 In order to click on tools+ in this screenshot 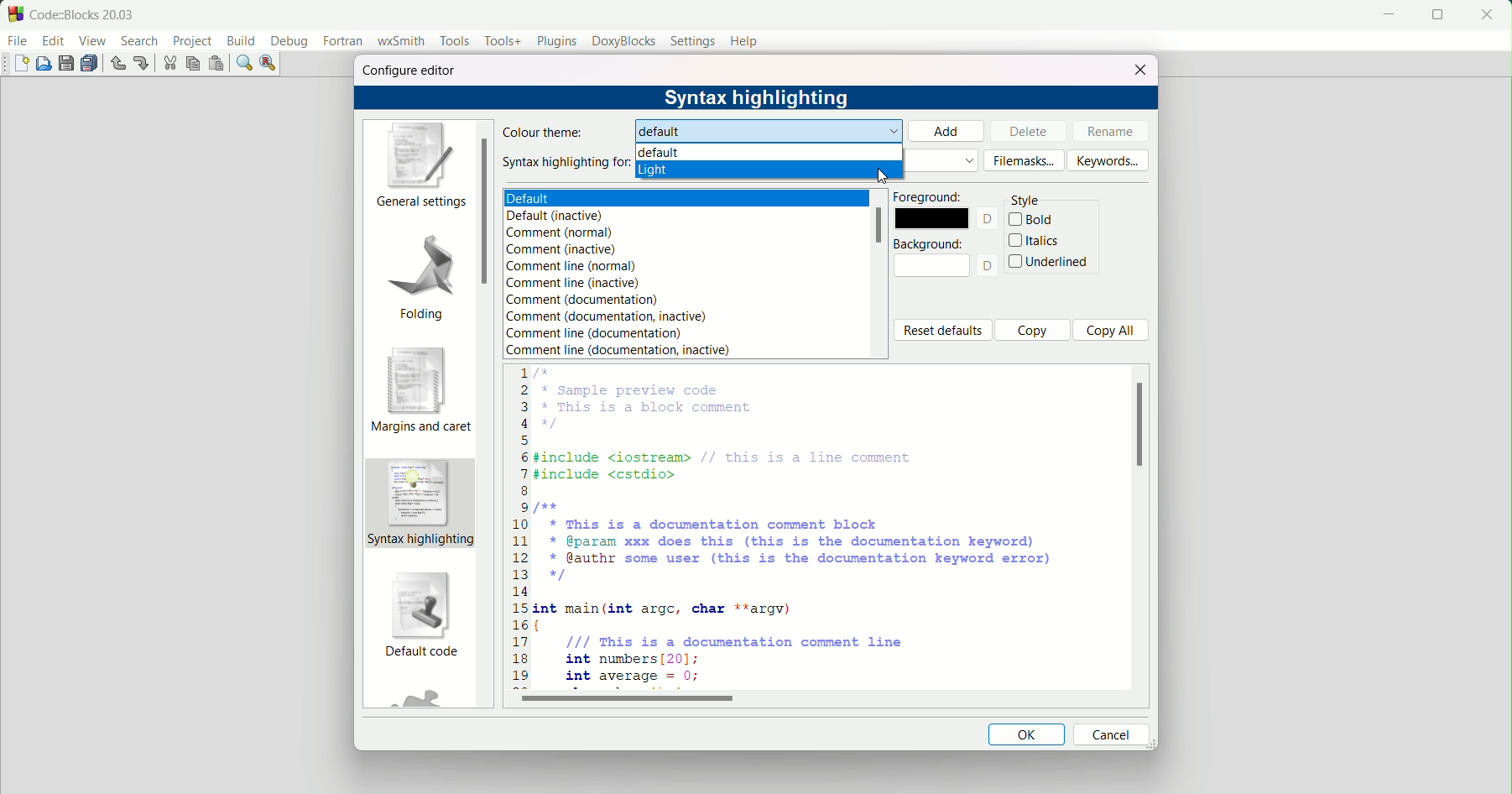, I will do `click(500, 42)`.